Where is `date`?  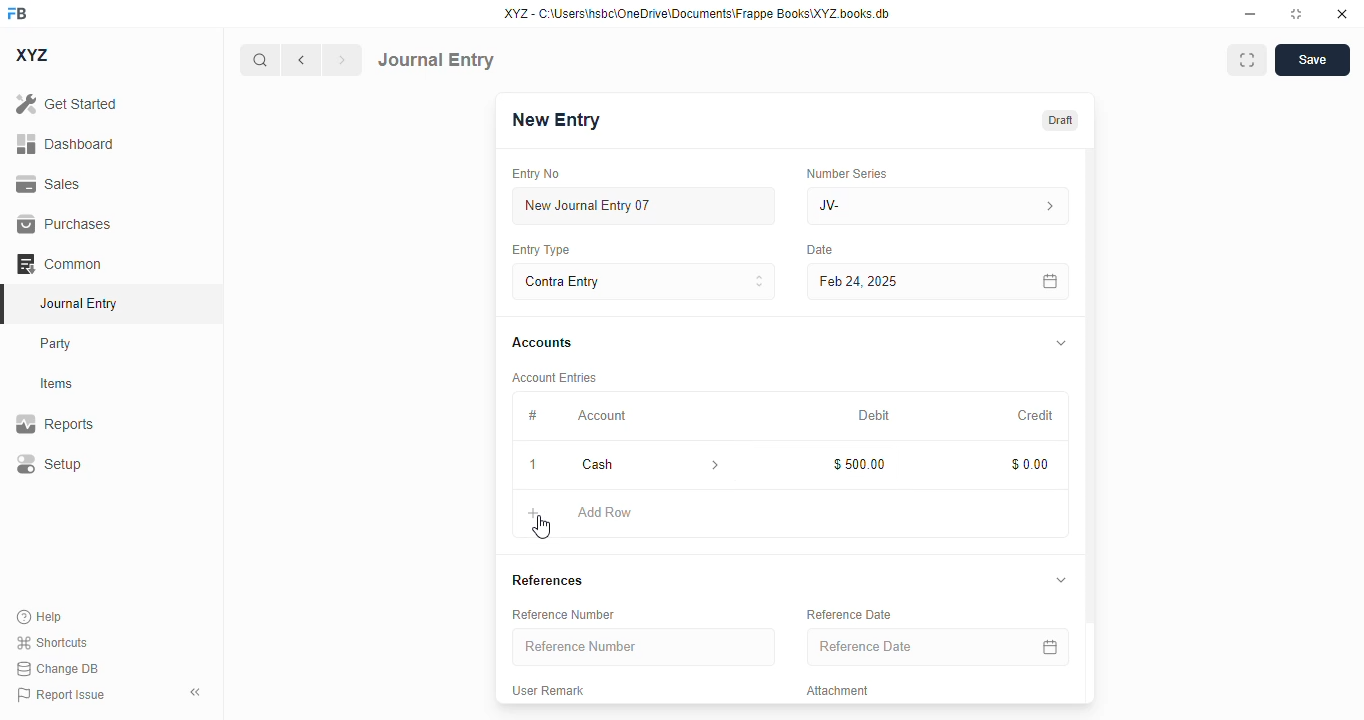
date is located at coordinates (820, 250).